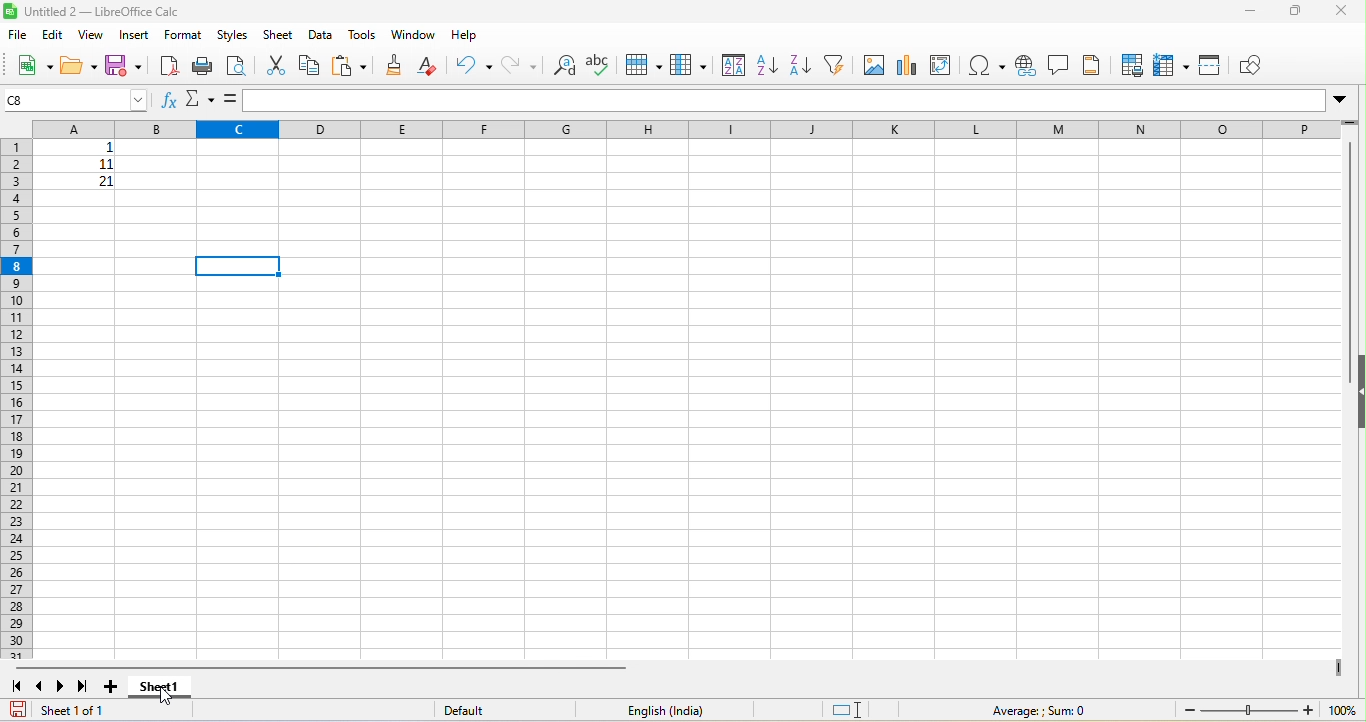 The width and height of the screenshot is (1366, 722). Describe the element at coordinates (13, 398) in the screenshot. I see `row numbers` at that location.